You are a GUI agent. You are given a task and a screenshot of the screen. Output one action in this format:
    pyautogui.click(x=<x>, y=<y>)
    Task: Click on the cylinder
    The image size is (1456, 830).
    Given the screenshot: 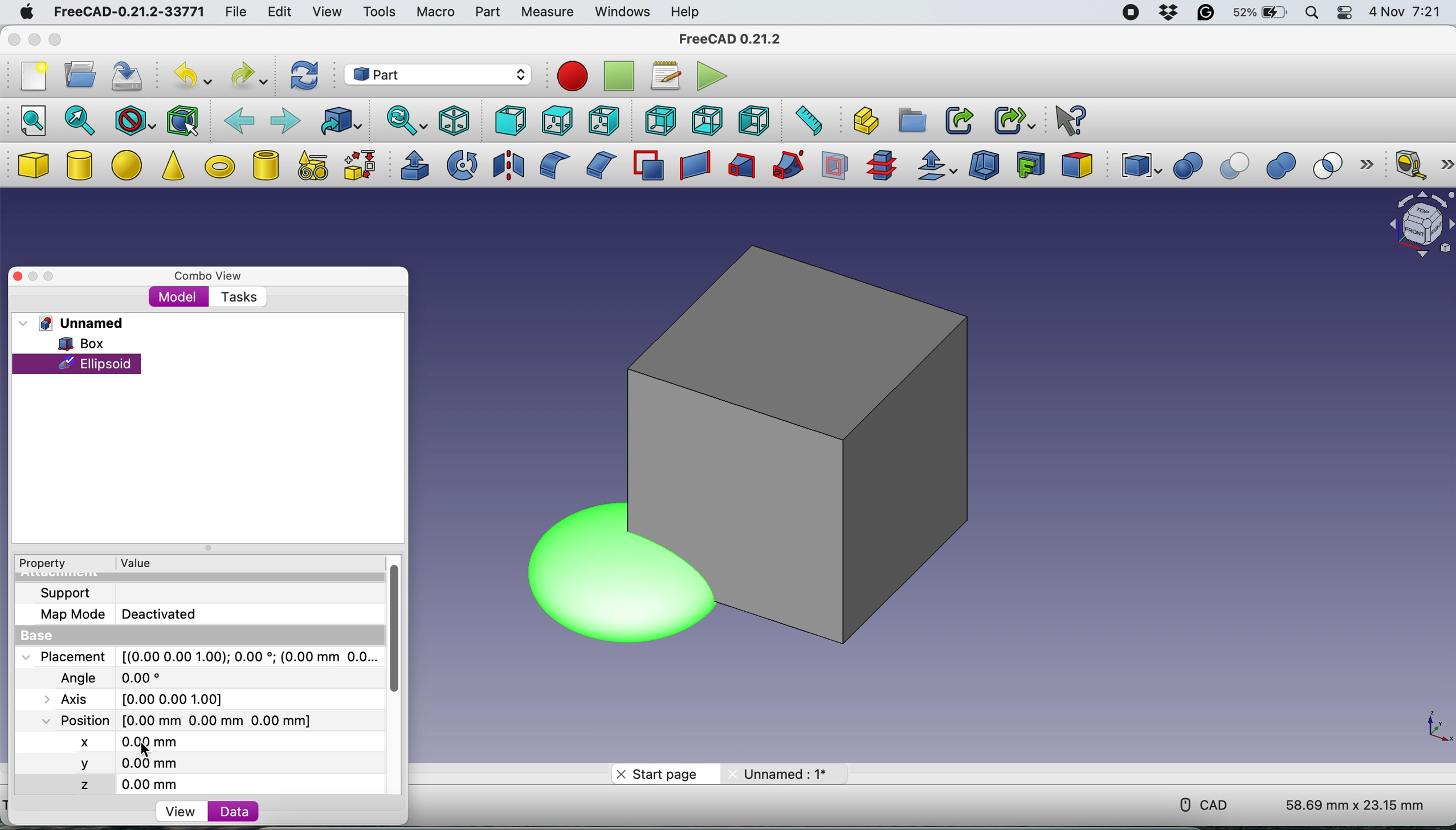 What is the action you would take?
    pyautogui.click(x=80, y=167)
    